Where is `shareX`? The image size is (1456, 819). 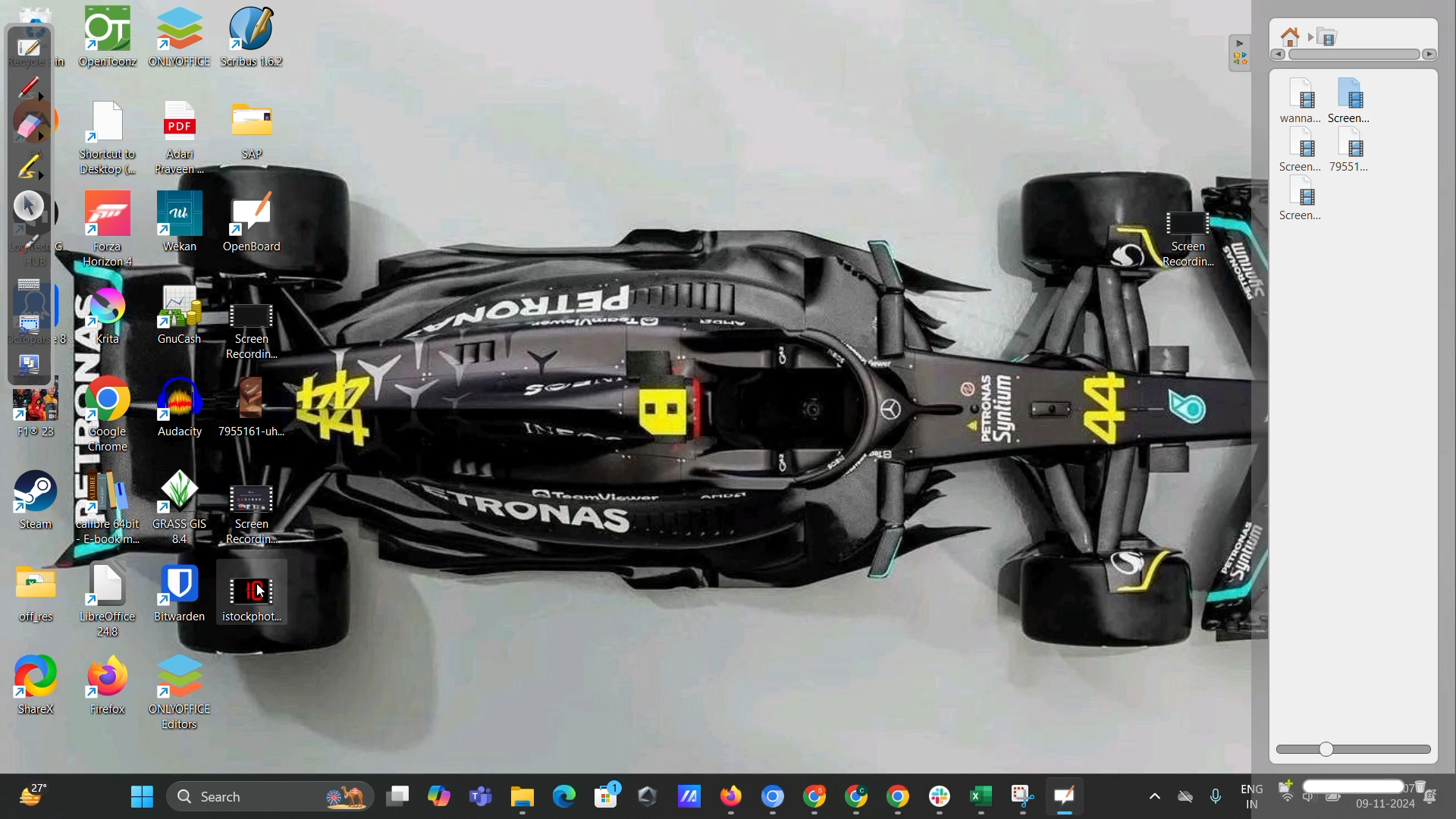 shareX is located at coordinates (39, 687).